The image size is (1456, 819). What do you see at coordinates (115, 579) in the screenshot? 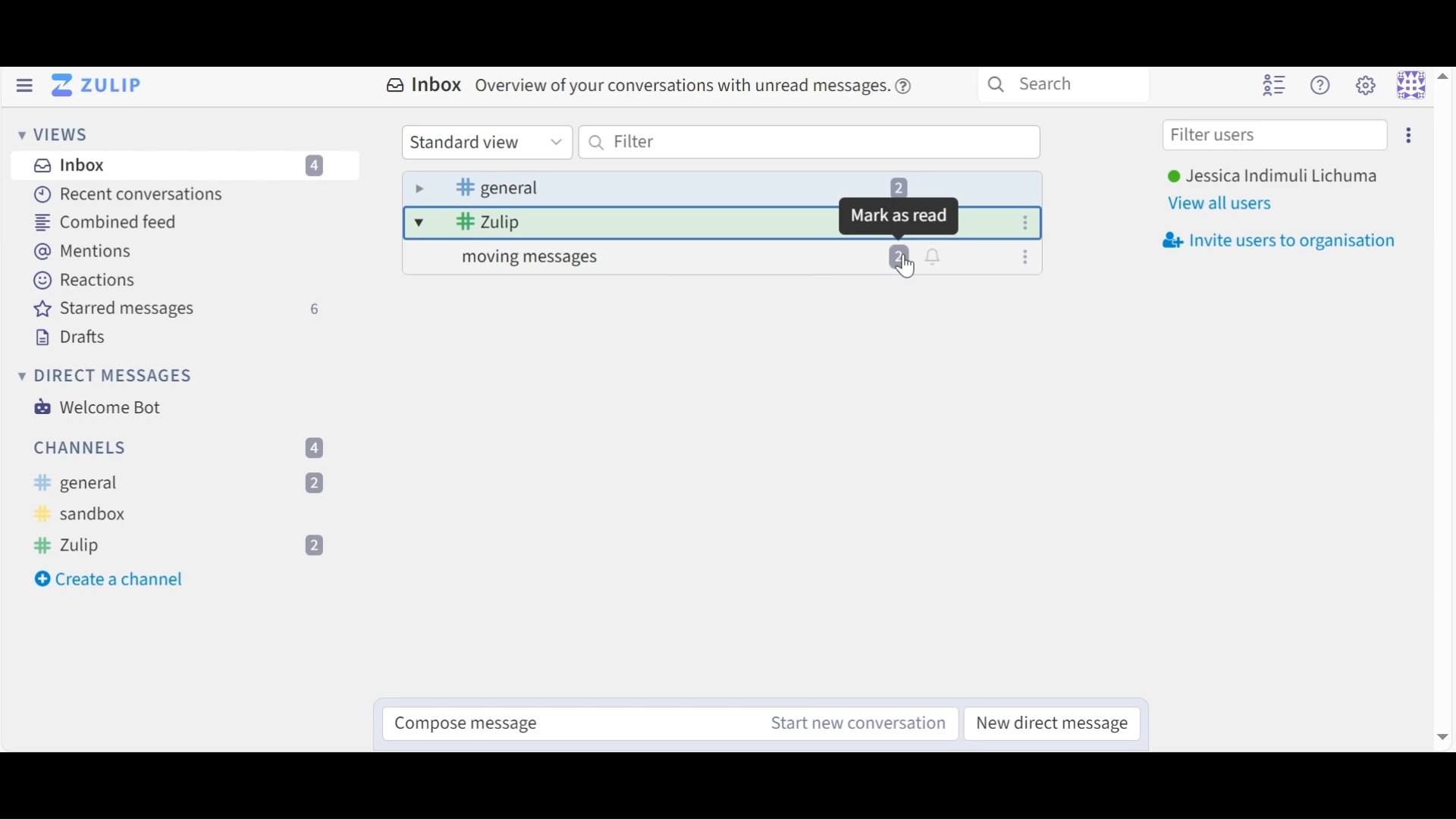
I see `Create a new Channel` at bounding box center [115, 579].